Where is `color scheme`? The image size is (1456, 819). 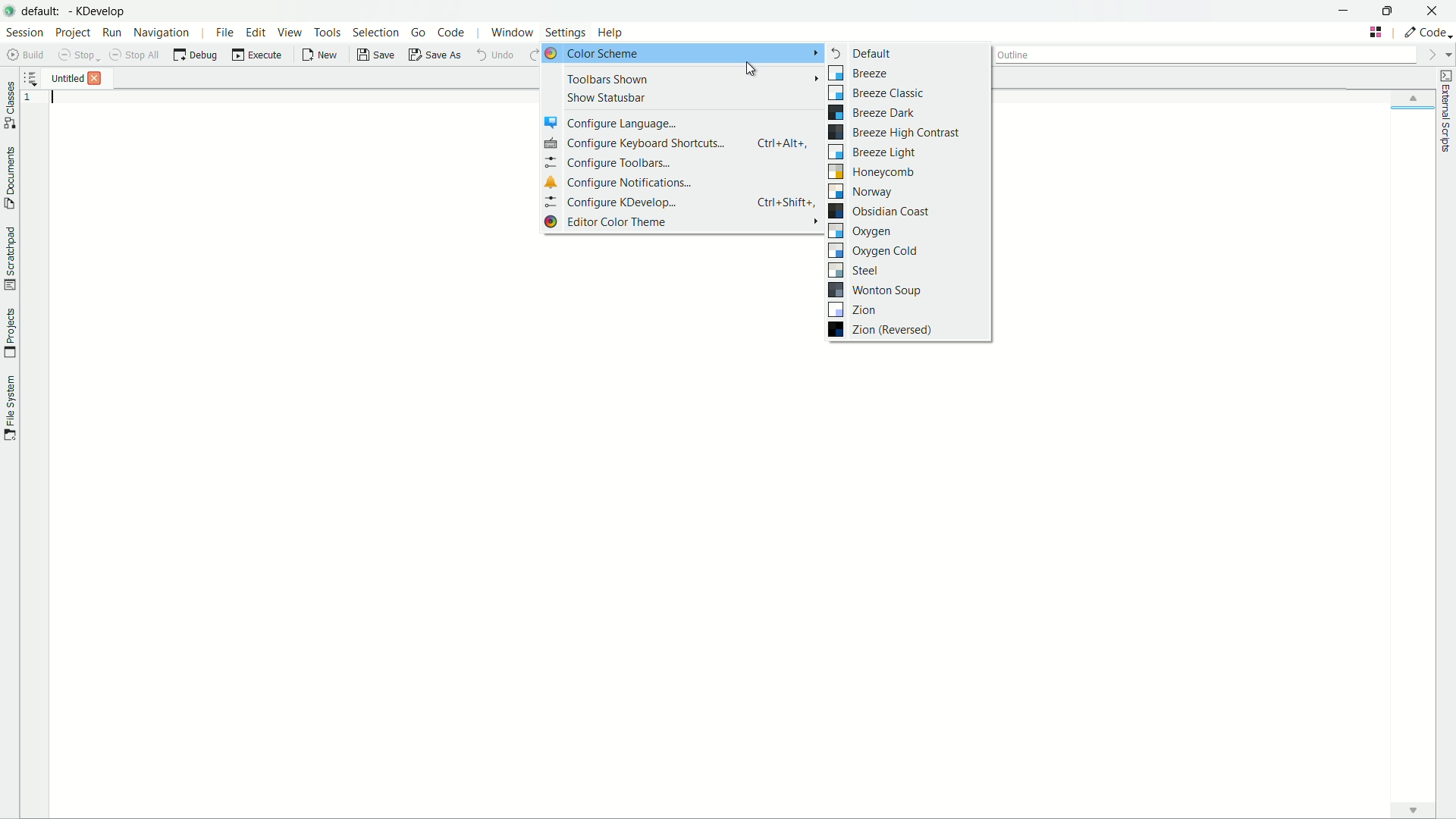 color scheme is located at coordinates (683, 53).